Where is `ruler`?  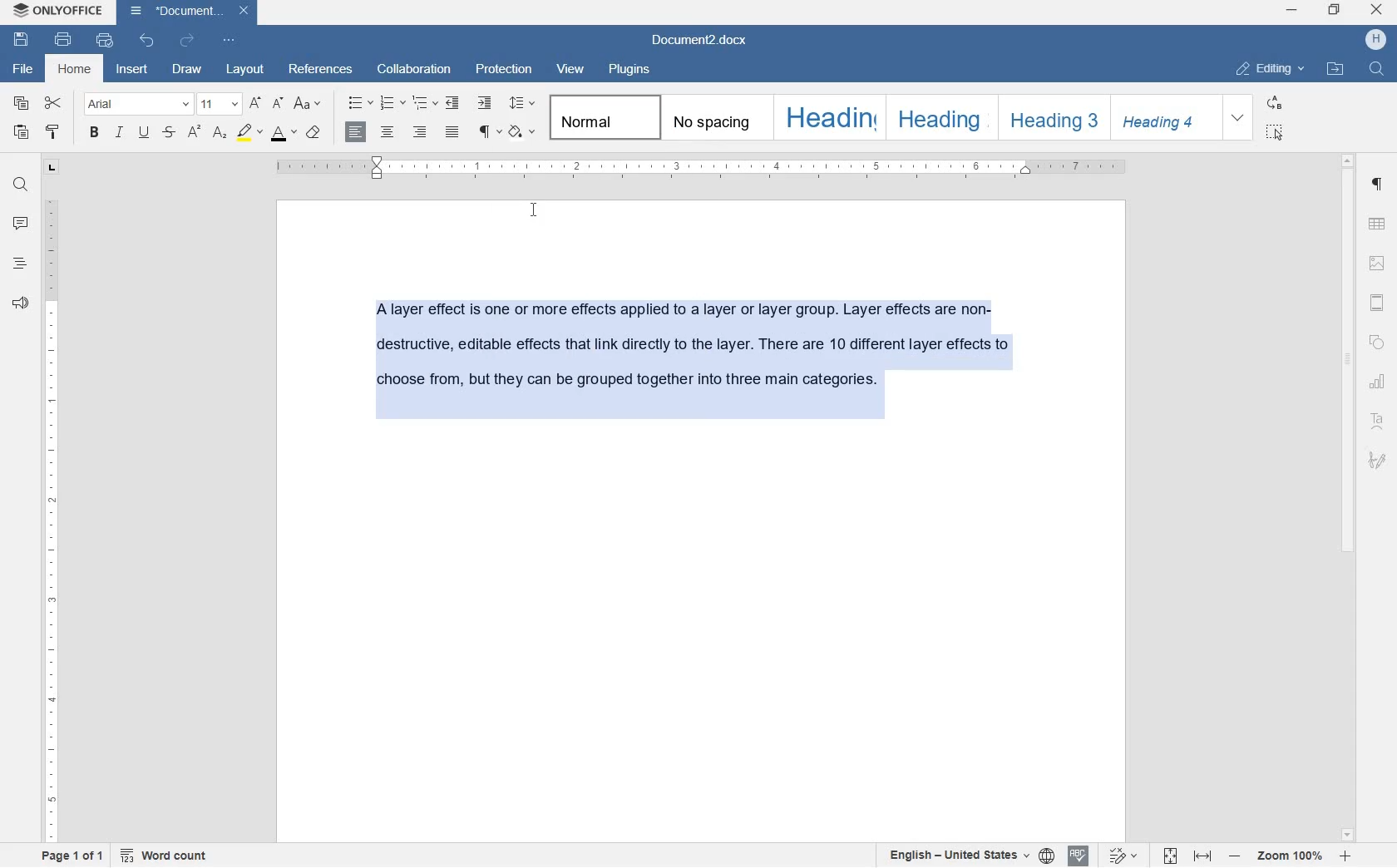
ruler is located at coordinates (704, 168).